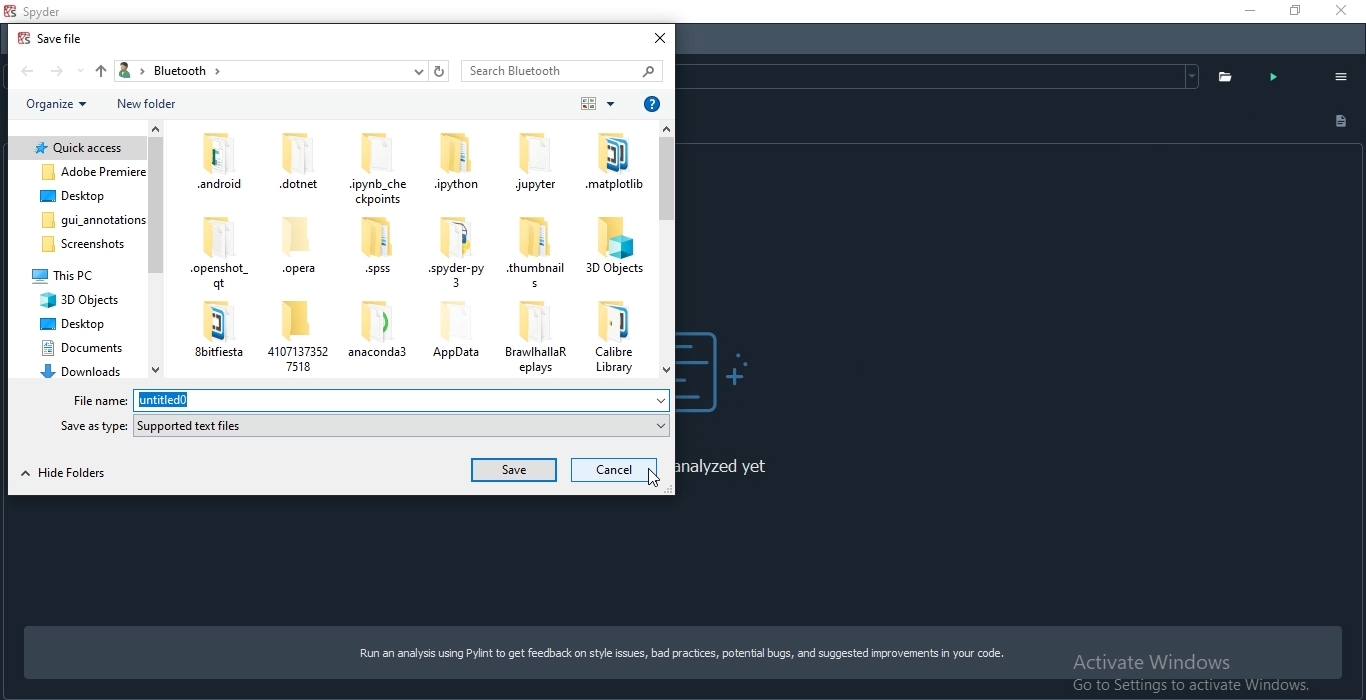  Describe the element at coordinates (42, 12) in the screenshot. I see `spyder` at that location.